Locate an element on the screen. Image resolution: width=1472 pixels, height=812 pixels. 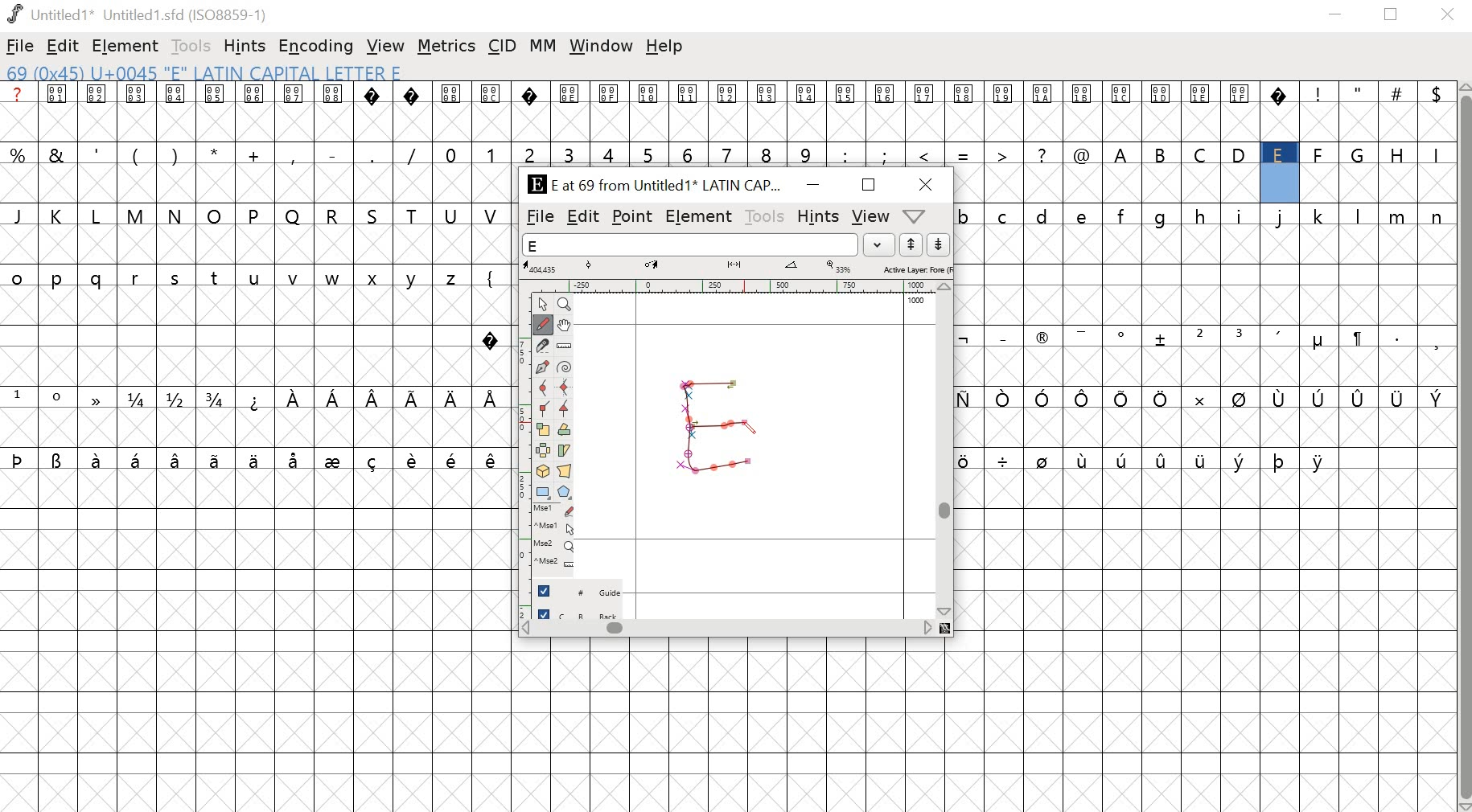
restore down is located at coordinates (1392, 15).